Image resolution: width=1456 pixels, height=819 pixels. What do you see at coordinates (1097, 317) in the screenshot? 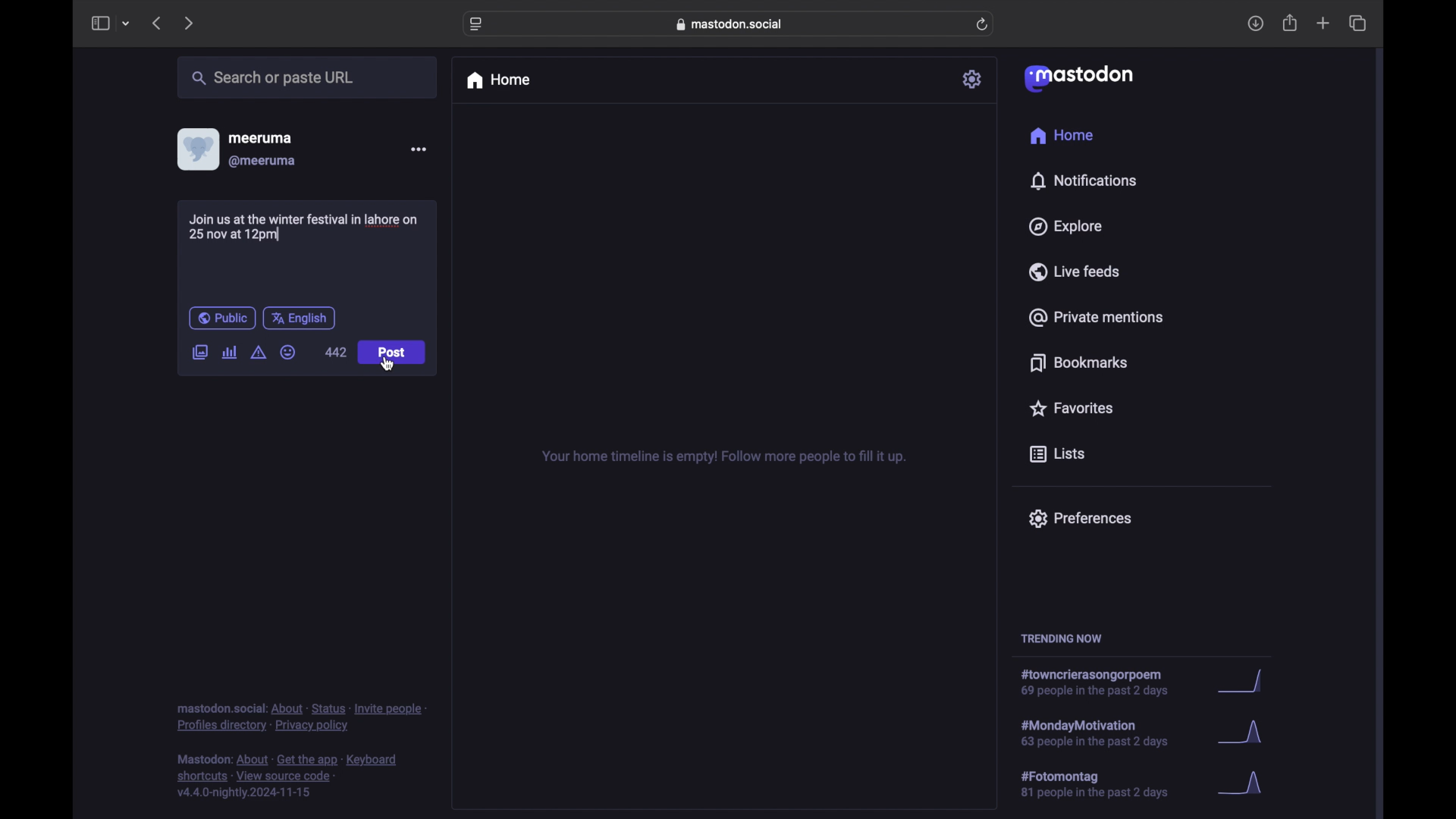
I see `private mentions` at bounding box center [1097, 317].